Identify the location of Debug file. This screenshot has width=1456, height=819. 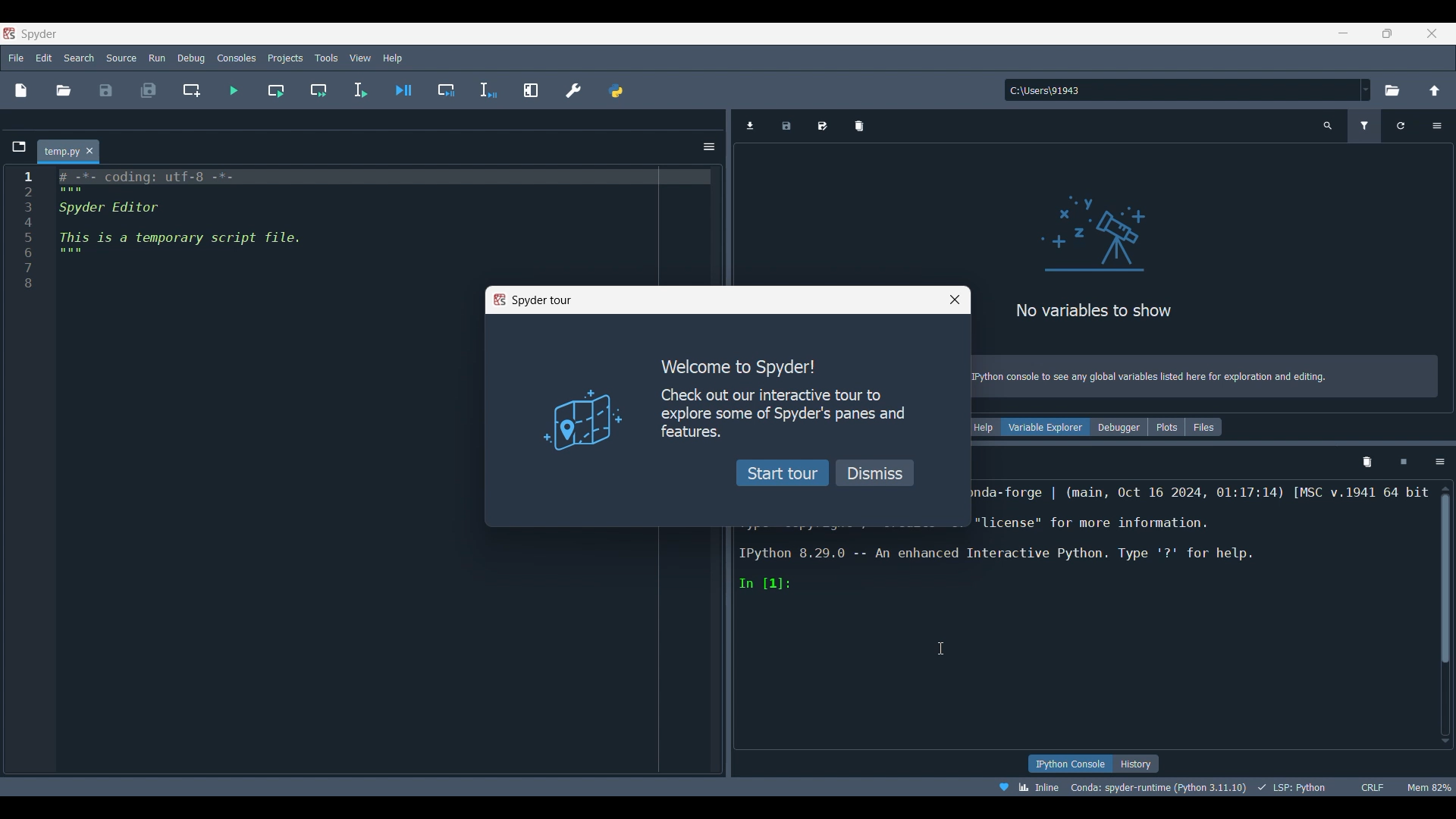
(403, 90).